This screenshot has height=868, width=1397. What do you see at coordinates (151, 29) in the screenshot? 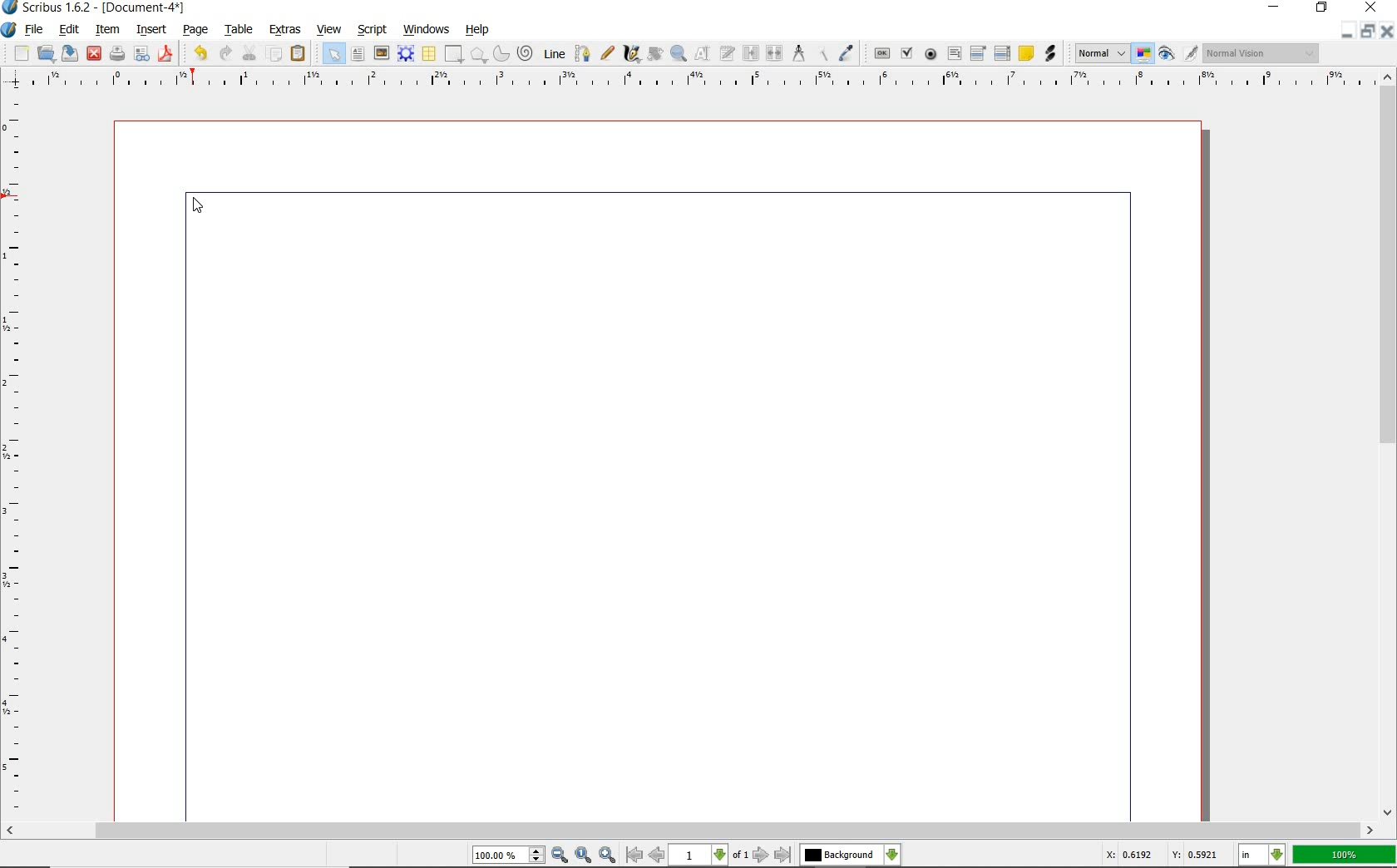
I see `insert` at bounding box center [151, 29].